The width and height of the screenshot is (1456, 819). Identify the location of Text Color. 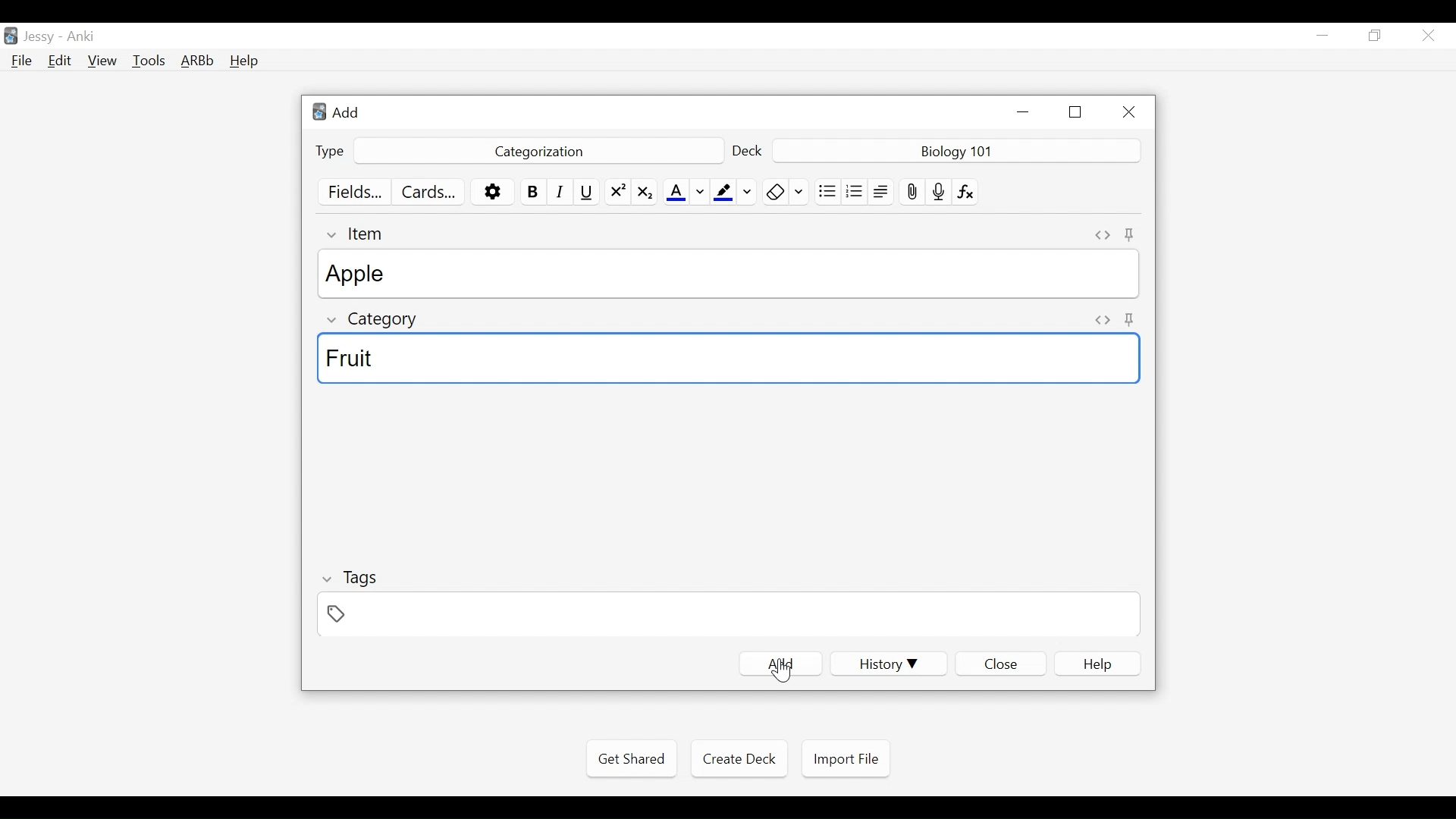
(686, 192).